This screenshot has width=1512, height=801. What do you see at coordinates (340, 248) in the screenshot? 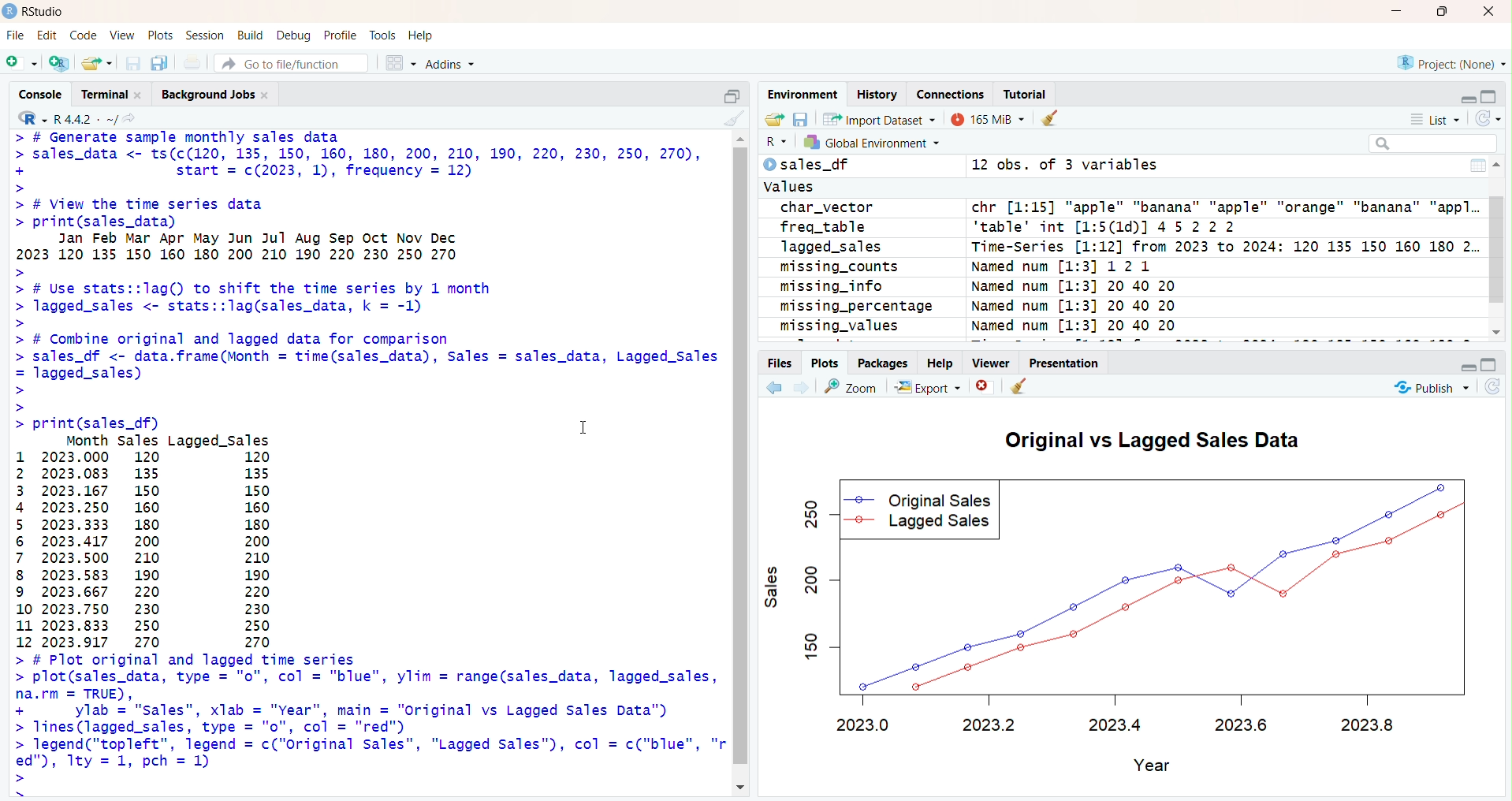
I see `Jan Feb Mar Apr May Jun Jul Aug Sep Oct Nov Dec2023 120 135 150 160 180 200 210 190 220 230 250 270` at bounding box center [340, 248].